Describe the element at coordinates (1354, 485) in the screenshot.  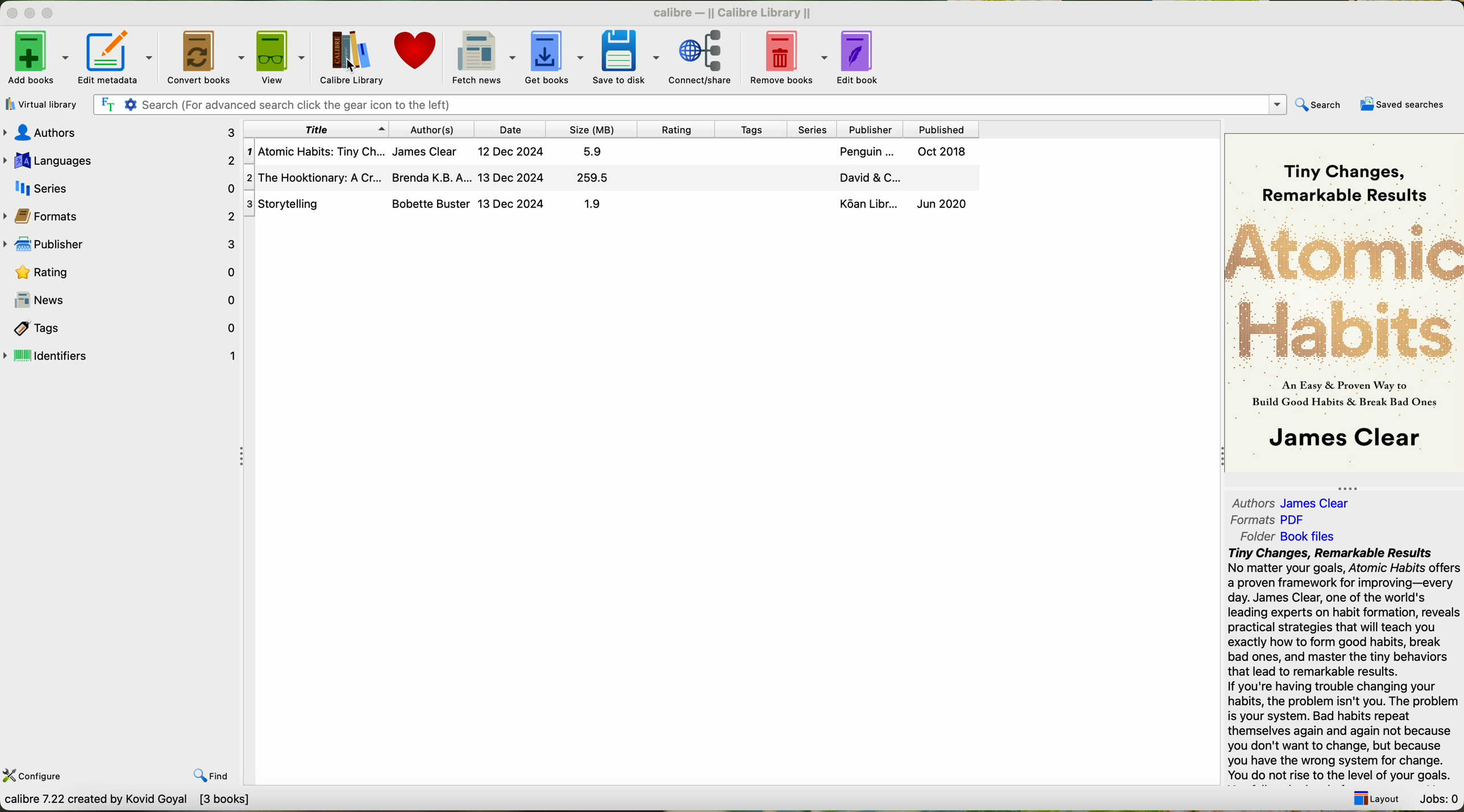
I see `collapse` at that location.